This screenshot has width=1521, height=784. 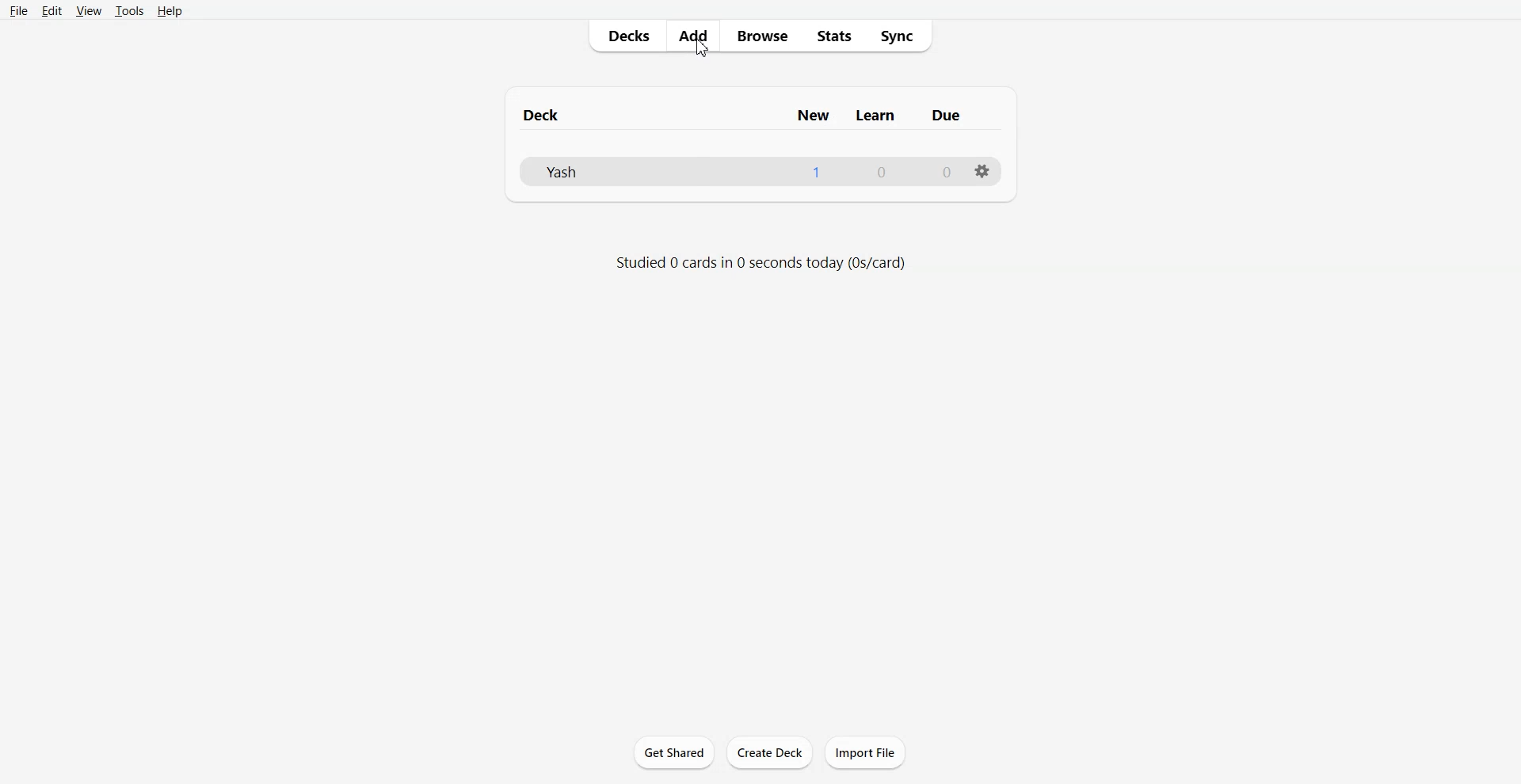 I want to click on File, so click(x=19, y=11).